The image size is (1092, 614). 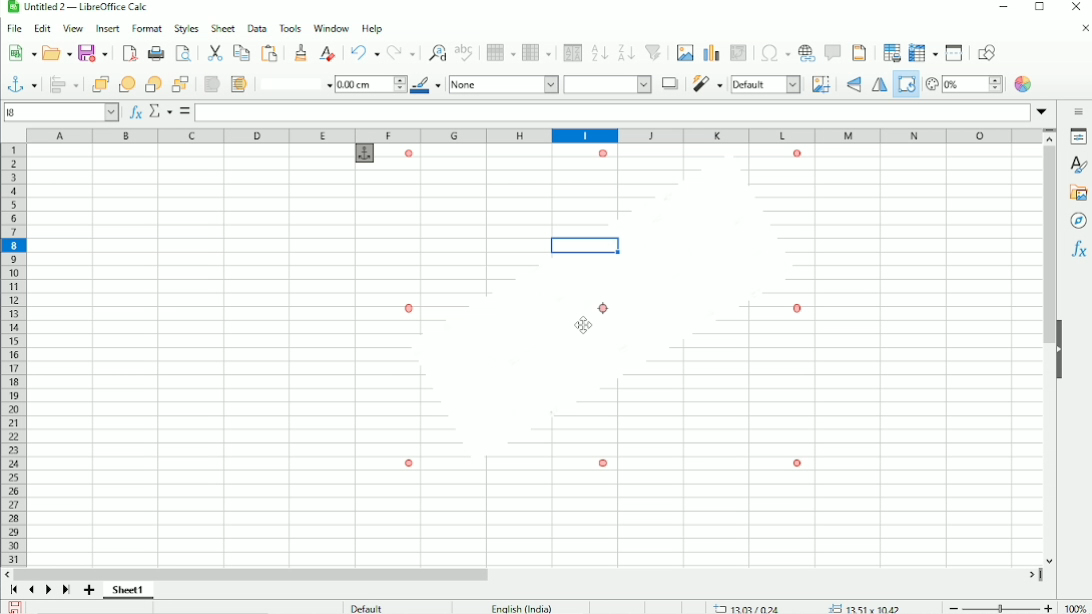 What do you see at coordinates (14, 354) in the screenshot?
I see `Row headings` at bounding box center [14, 354].